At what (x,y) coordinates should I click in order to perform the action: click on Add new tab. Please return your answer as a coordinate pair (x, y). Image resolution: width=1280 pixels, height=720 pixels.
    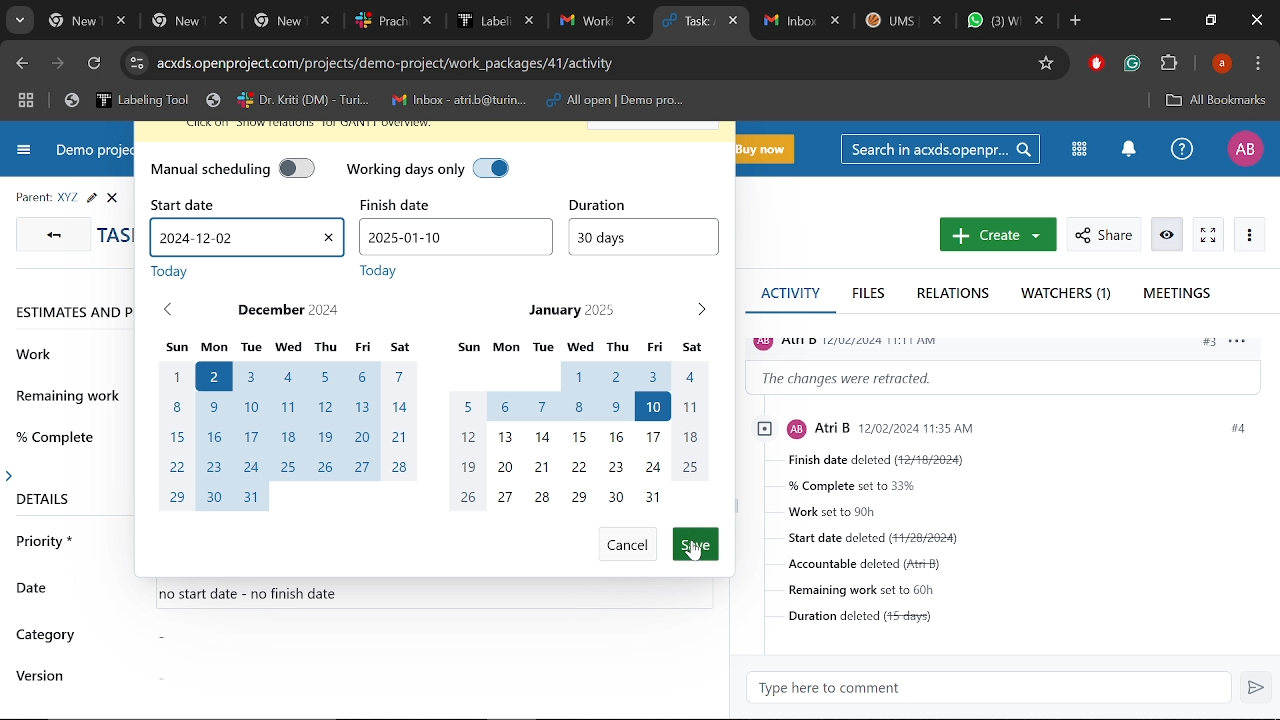
    Looking at the image, I should click on (1077, 23).